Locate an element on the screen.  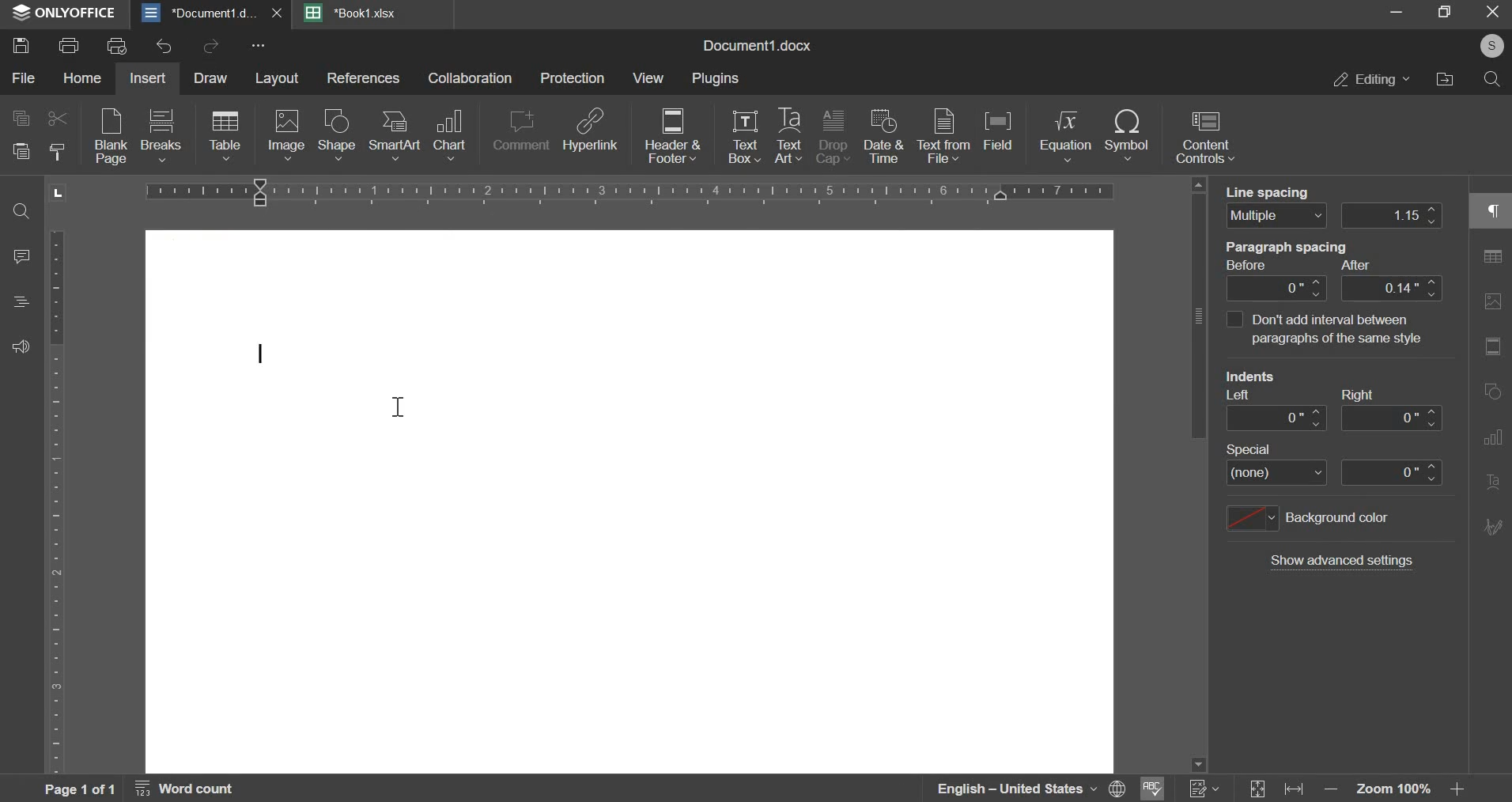
tool tip is located at coordinates (1326, 329).